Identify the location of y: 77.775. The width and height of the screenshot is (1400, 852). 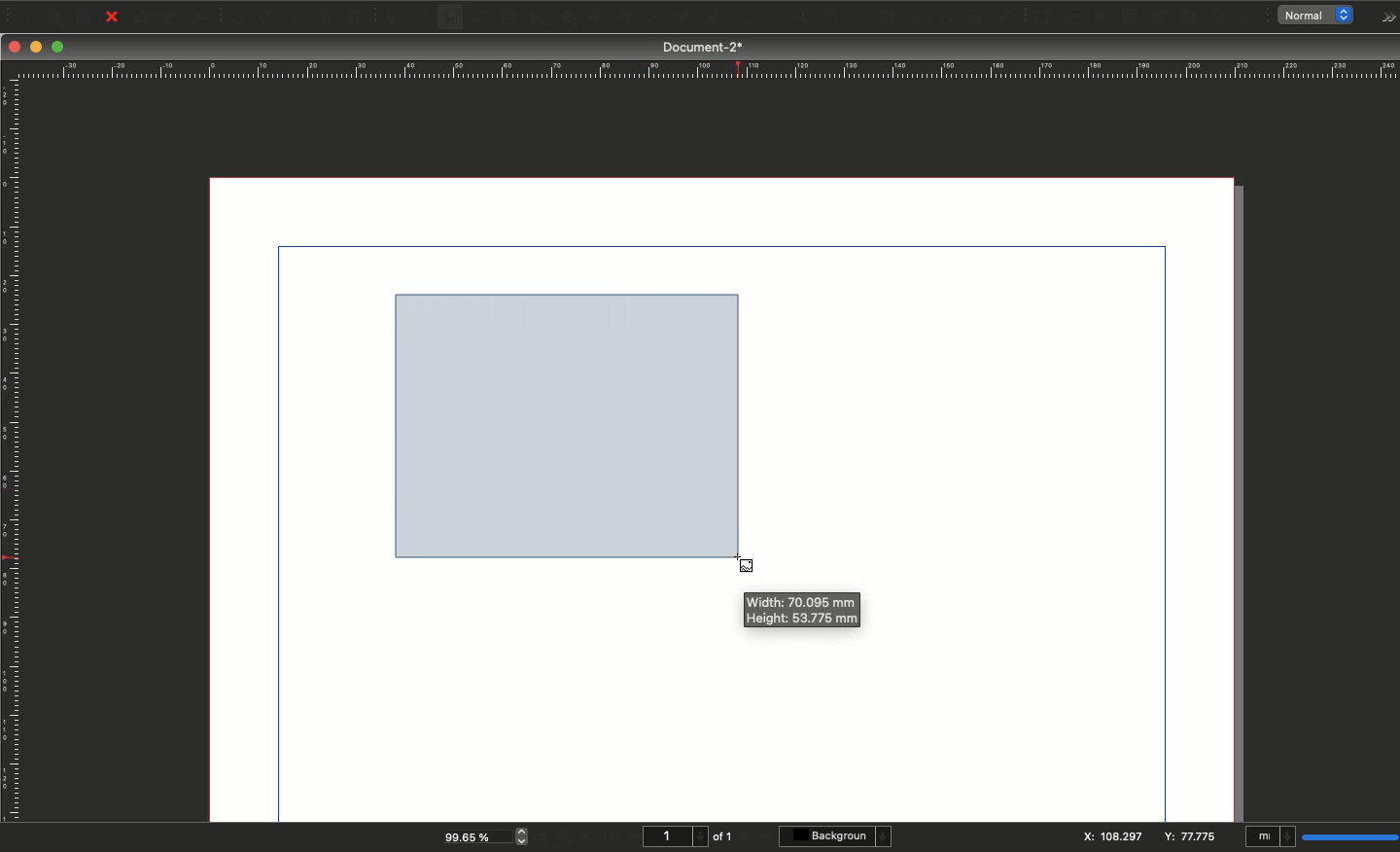
(1193, 836).